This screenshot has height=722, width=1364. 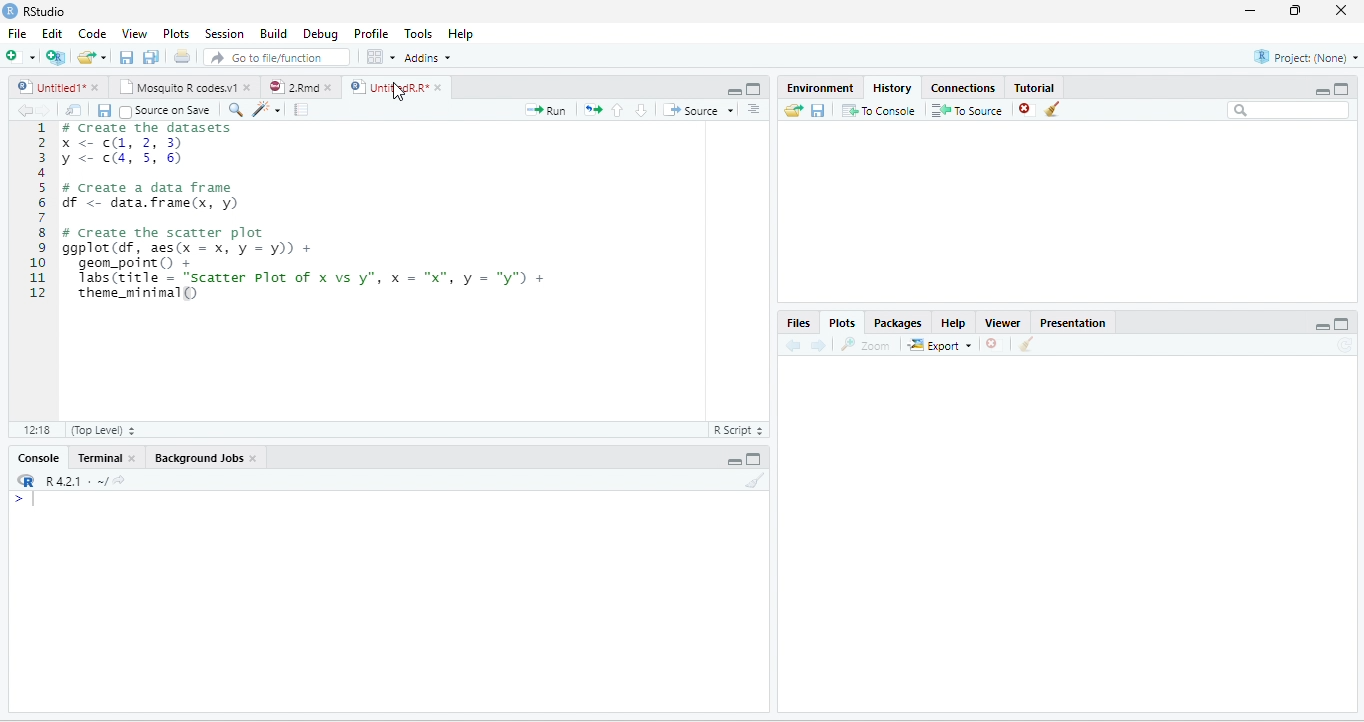 I want to click on New line, so click(x=25, y=498).